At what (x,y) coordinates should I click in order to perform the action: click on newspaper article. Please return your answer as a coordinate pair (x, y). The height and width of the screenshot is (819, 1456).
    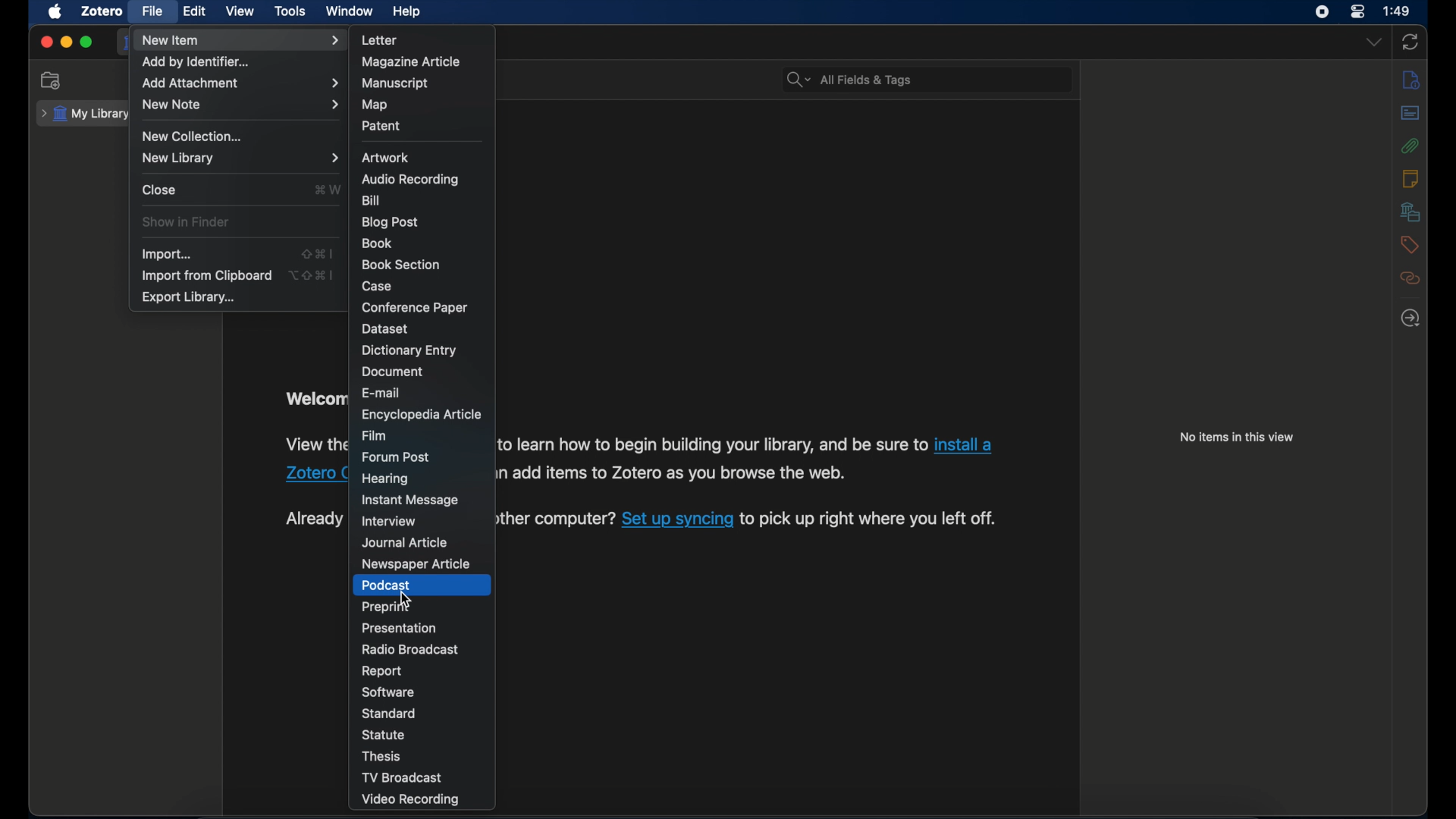
    Looking at the image, I should click on (418, 564).